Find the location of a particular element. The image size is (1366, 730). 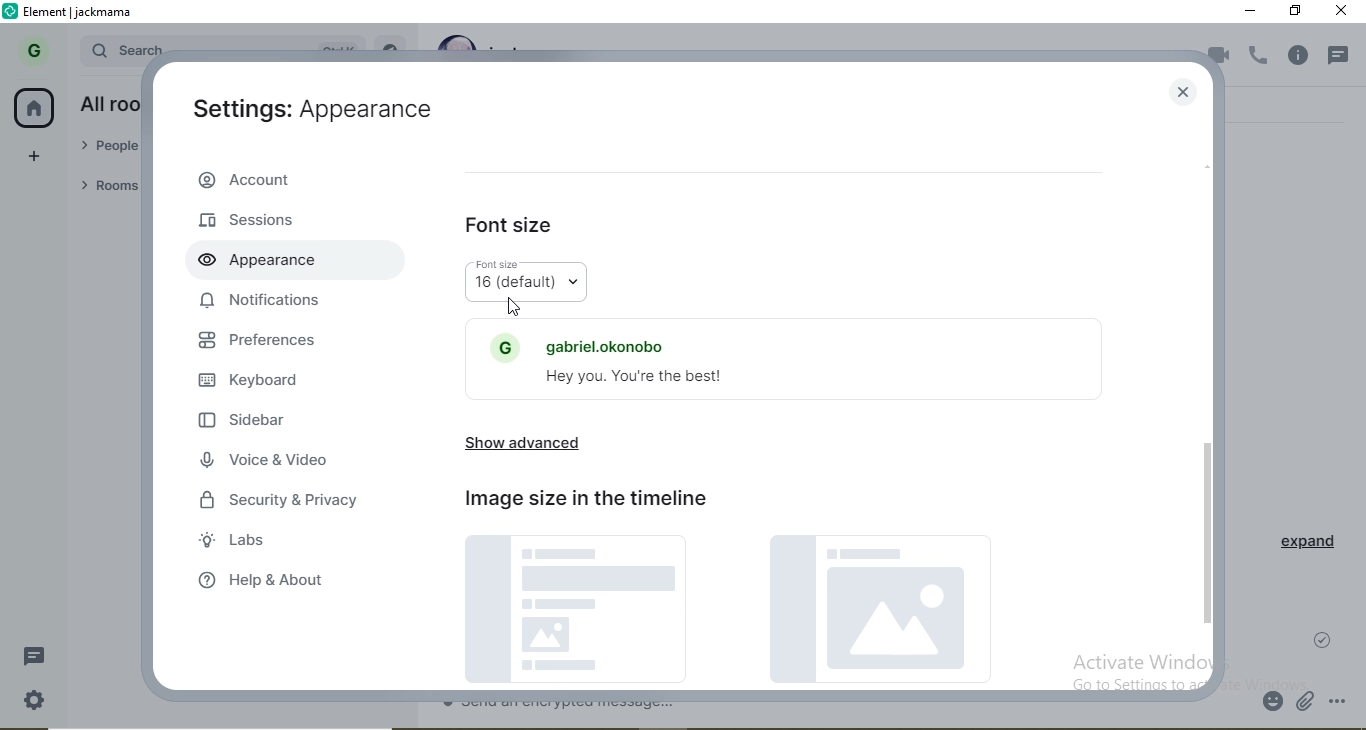

info is located at coordinates (1303, 56).